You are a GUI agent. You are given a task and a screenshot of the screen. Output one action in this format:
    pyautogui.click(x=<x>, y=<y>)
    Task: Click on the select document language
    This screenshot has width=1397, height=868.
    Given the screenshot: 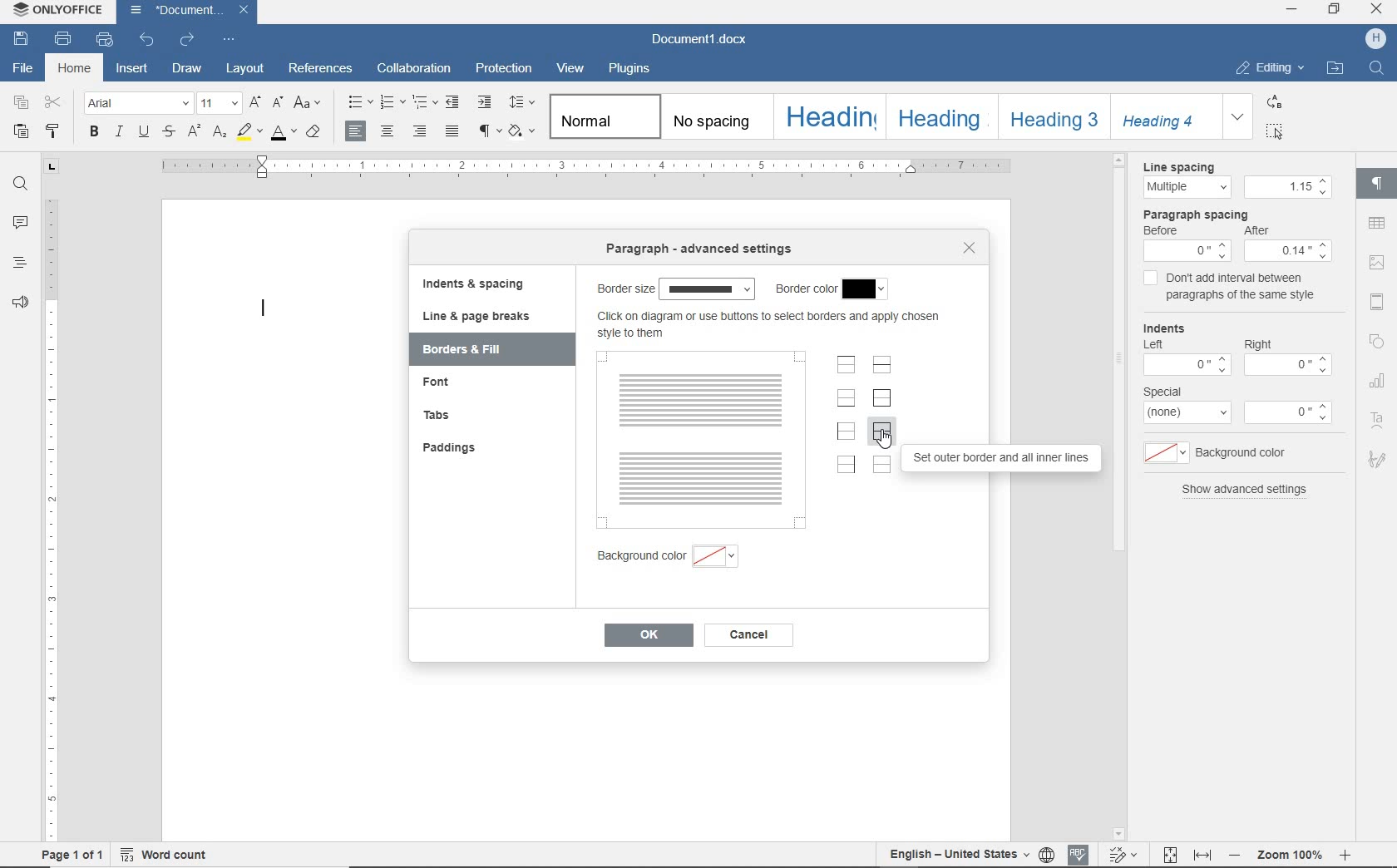 What is the action you would take?
    pyautogui.click(x=1046, y=854)
    